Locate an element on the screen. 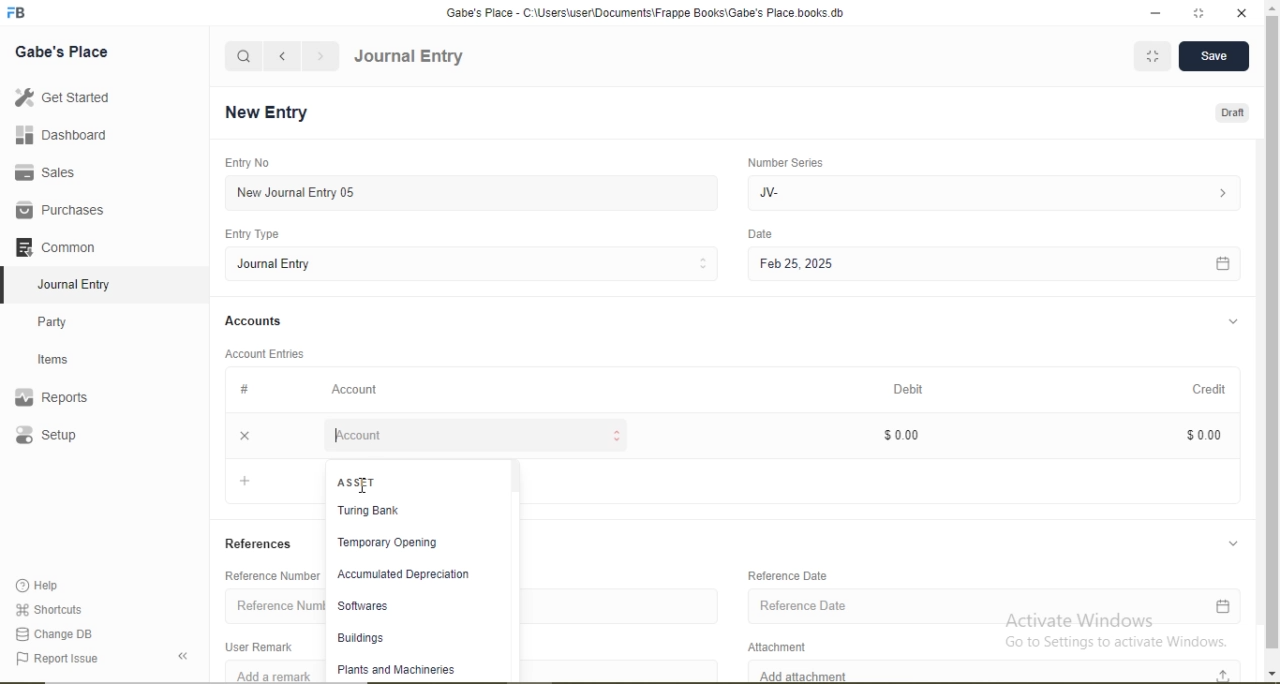 Image resolution: width=1280 pixels, height=684 pixels. Setup is located at coordinates (75, 437).